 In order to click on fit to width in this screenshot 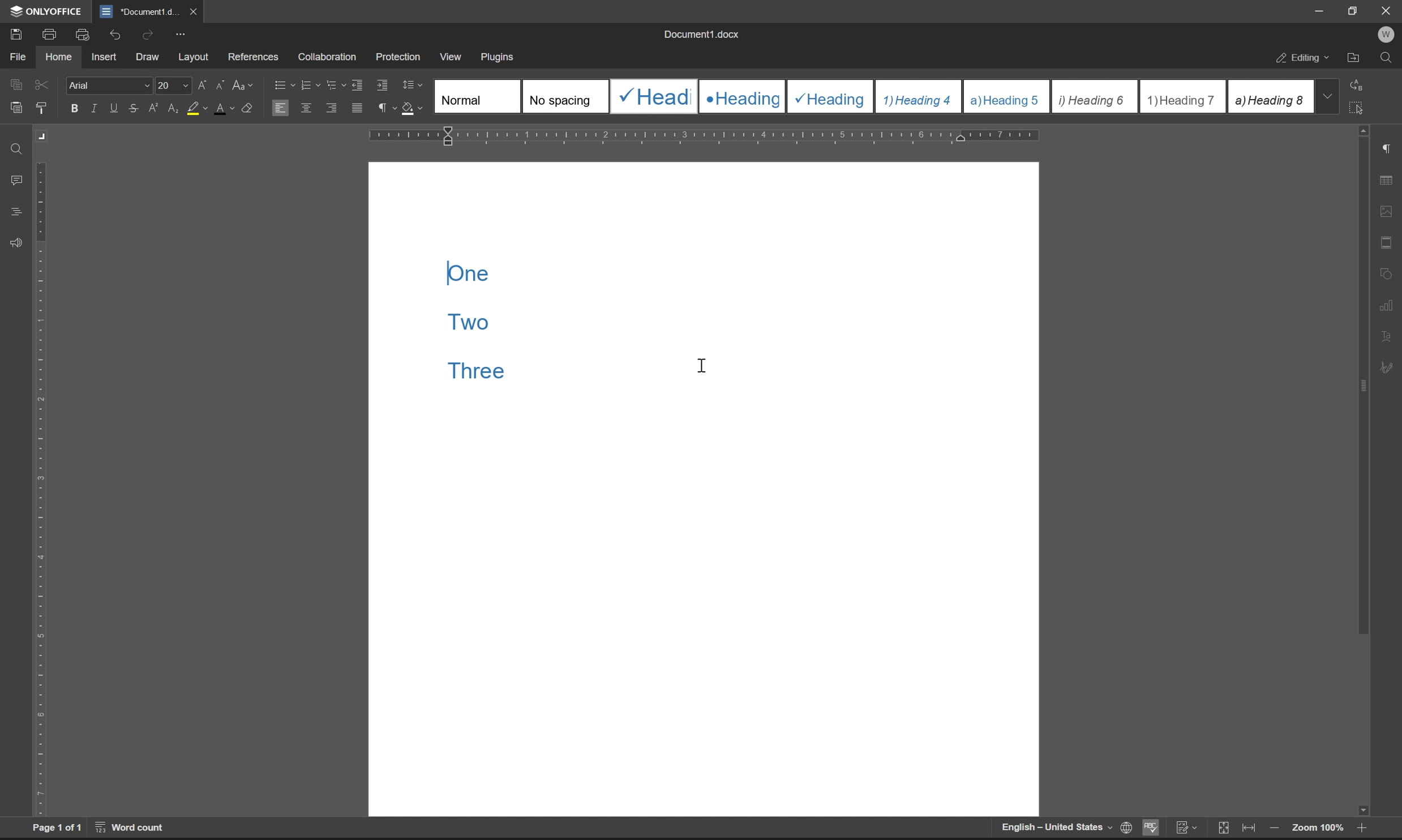, I will do `click(1249, 828)`.